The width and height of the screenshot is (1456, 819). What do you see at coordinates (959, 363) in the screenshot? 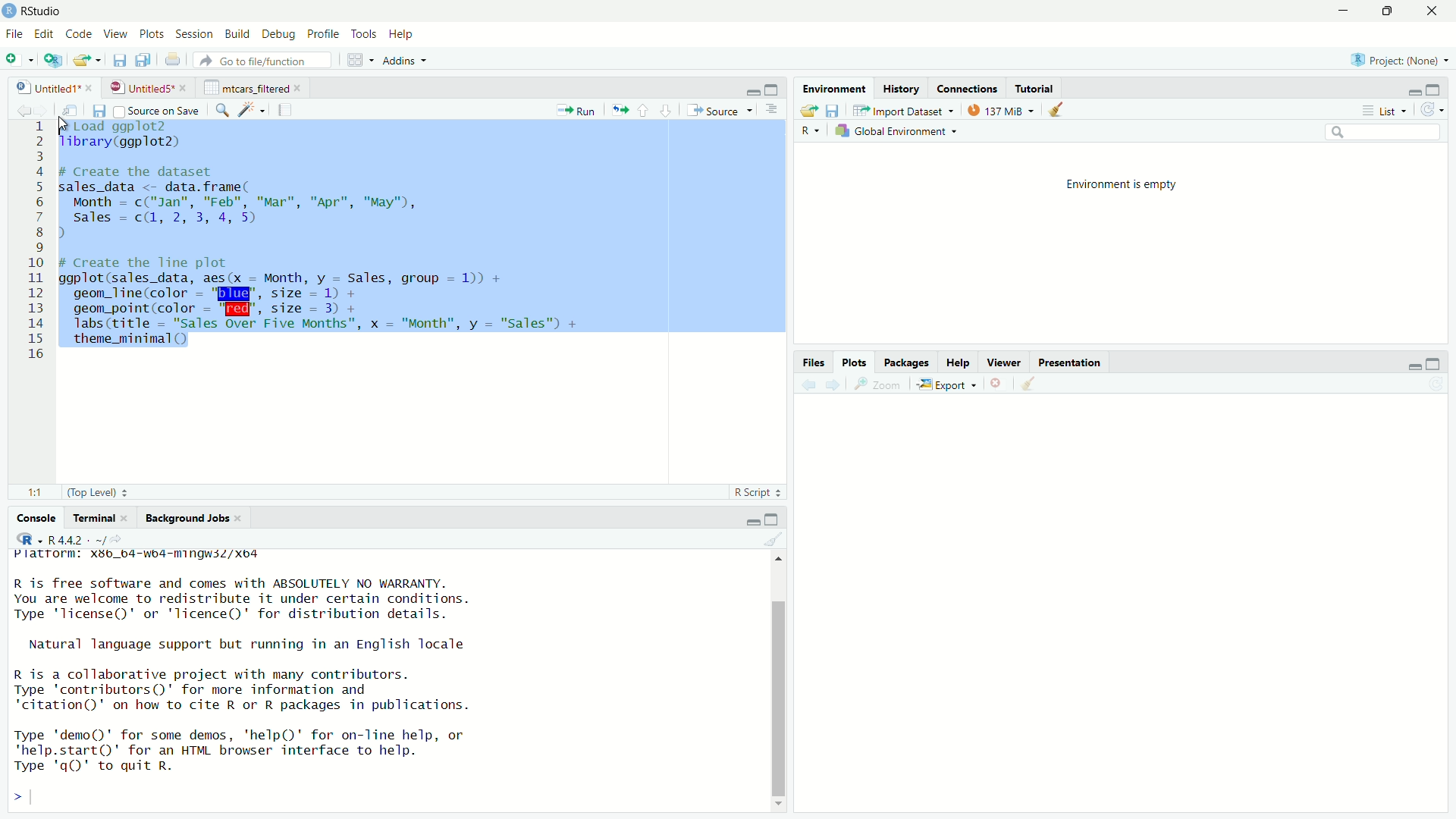
I see `help` at bounding box center [959, 363].